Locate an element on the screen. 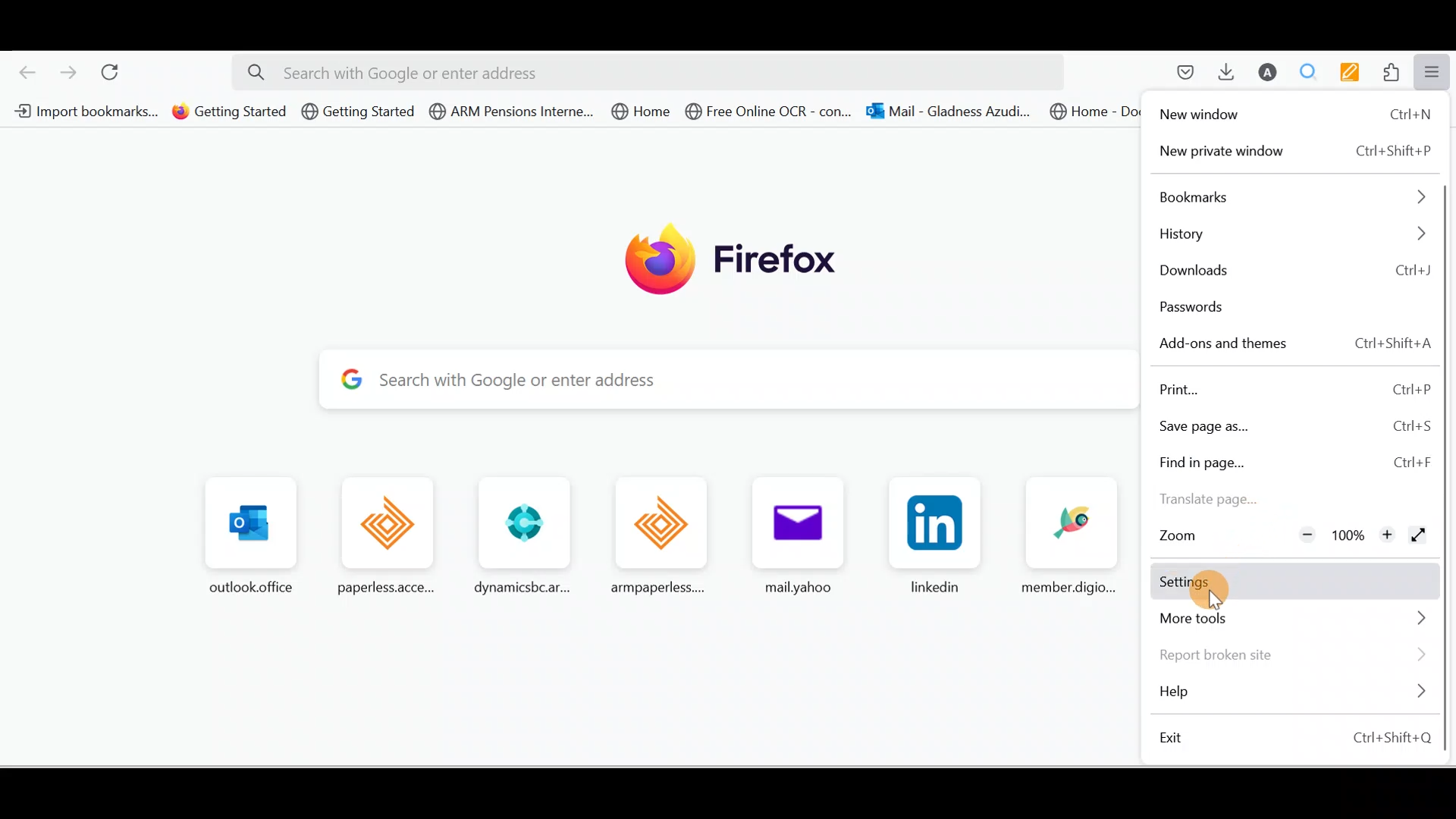  New window  Ctrl+N is located at coordinates (1294, 117).